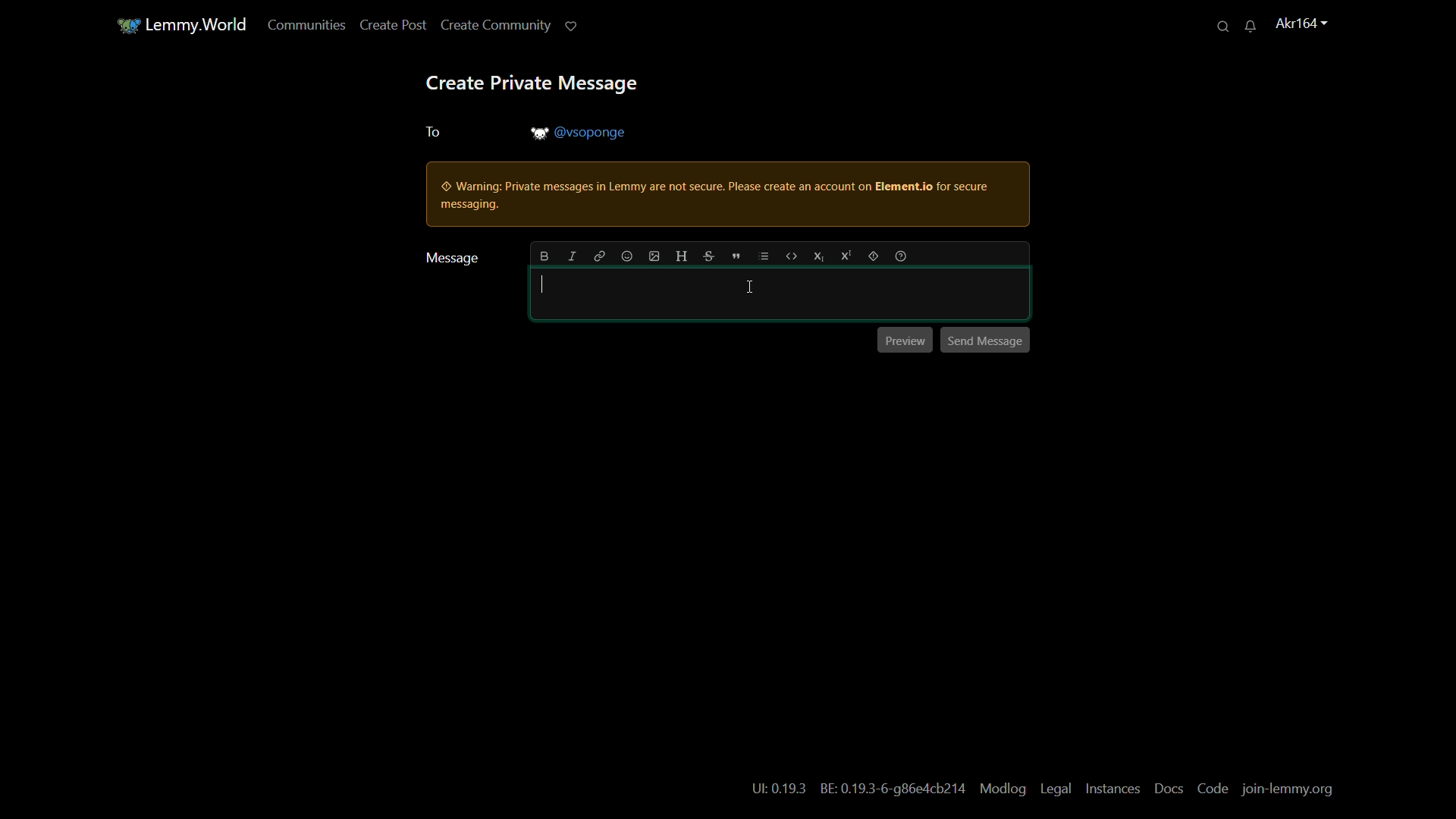  I want to click on send message, so click(985, 339).